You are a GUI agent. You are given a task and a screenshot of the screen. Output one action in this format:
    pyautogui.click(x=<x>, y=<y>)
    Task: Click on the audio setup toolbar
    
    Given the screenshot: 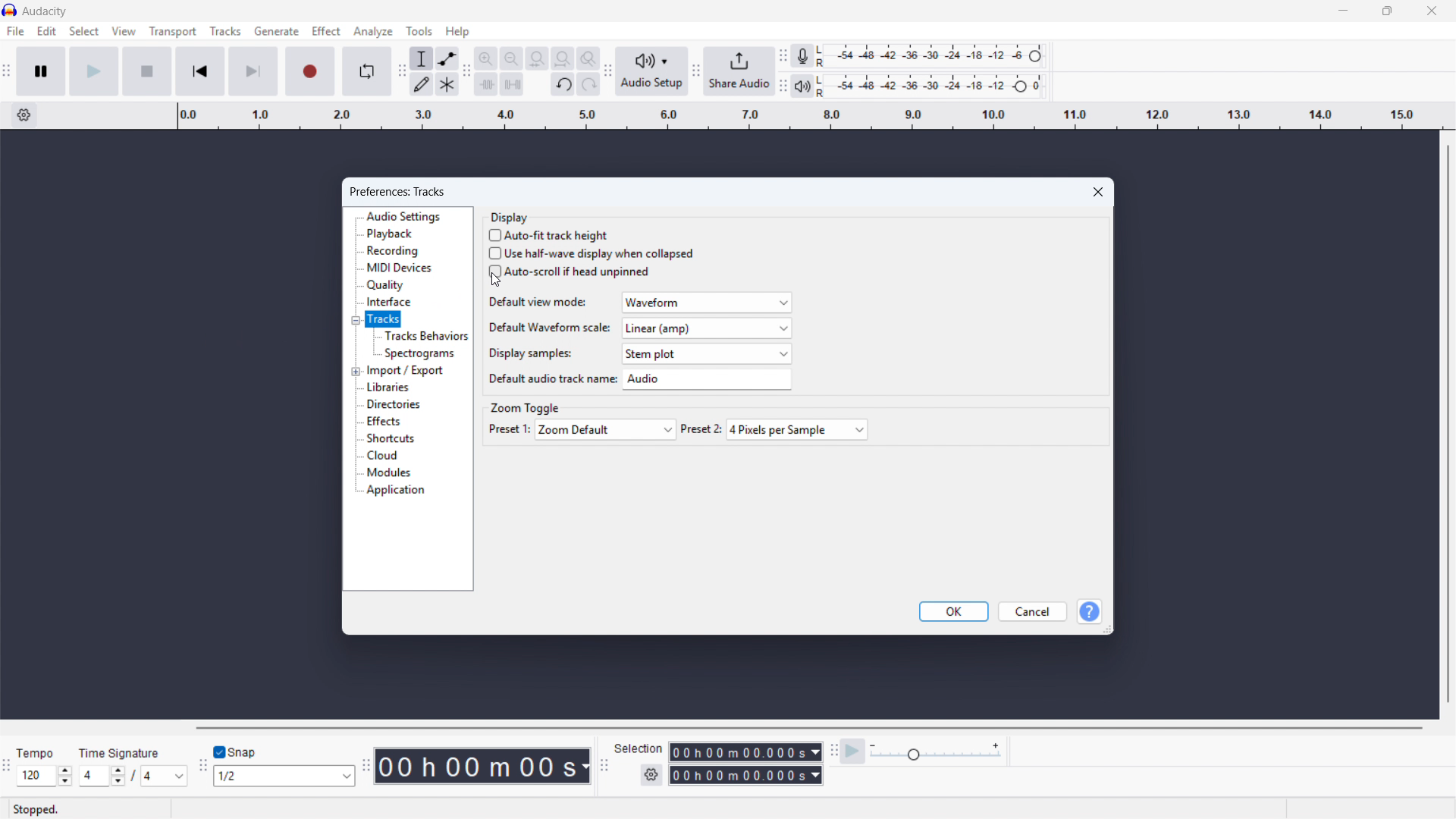 What is the action you would take?
    pyautogui.click(x=608, y=73)
    